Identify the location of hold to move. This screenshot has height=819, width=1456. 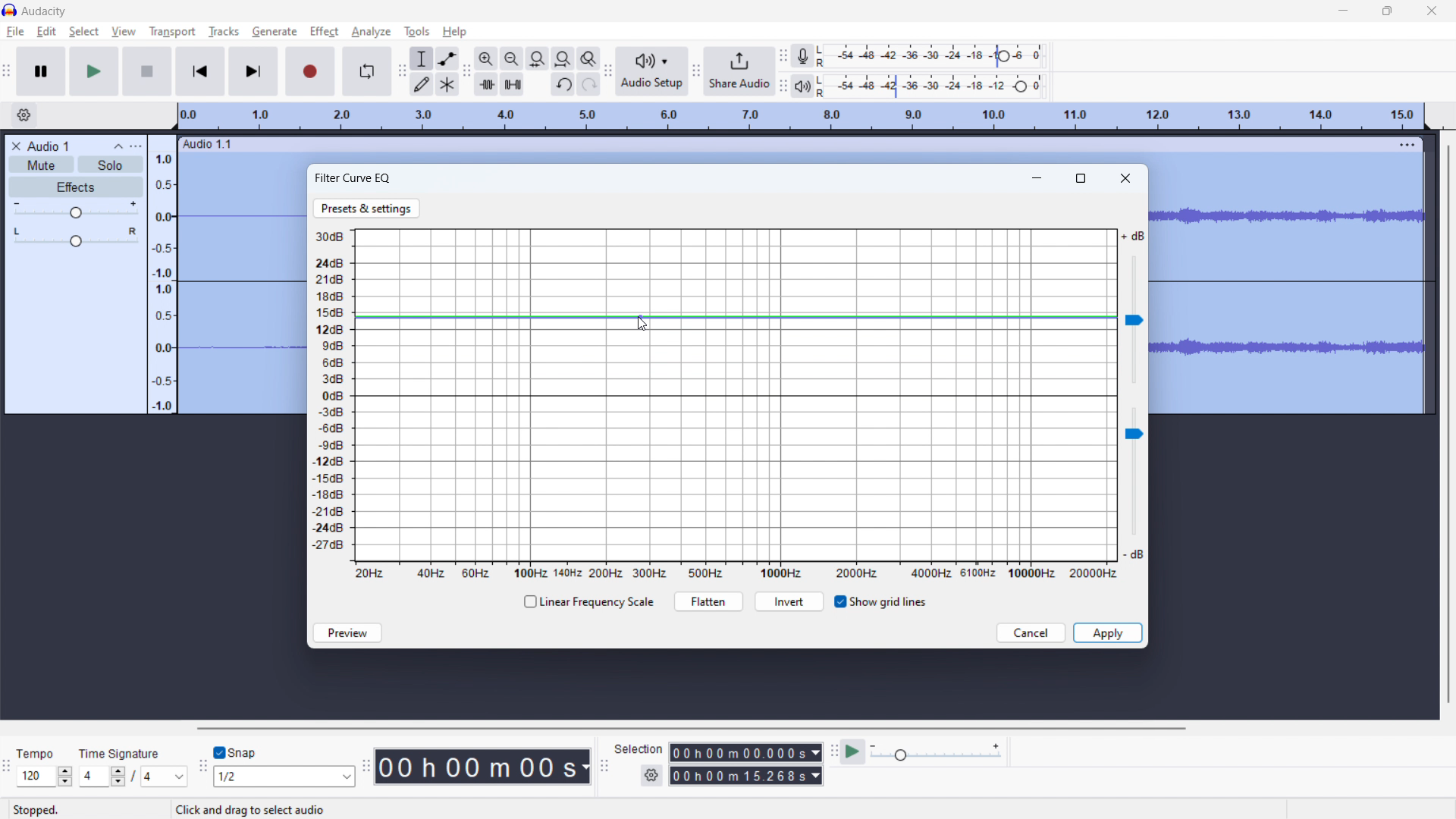
(785, 145).